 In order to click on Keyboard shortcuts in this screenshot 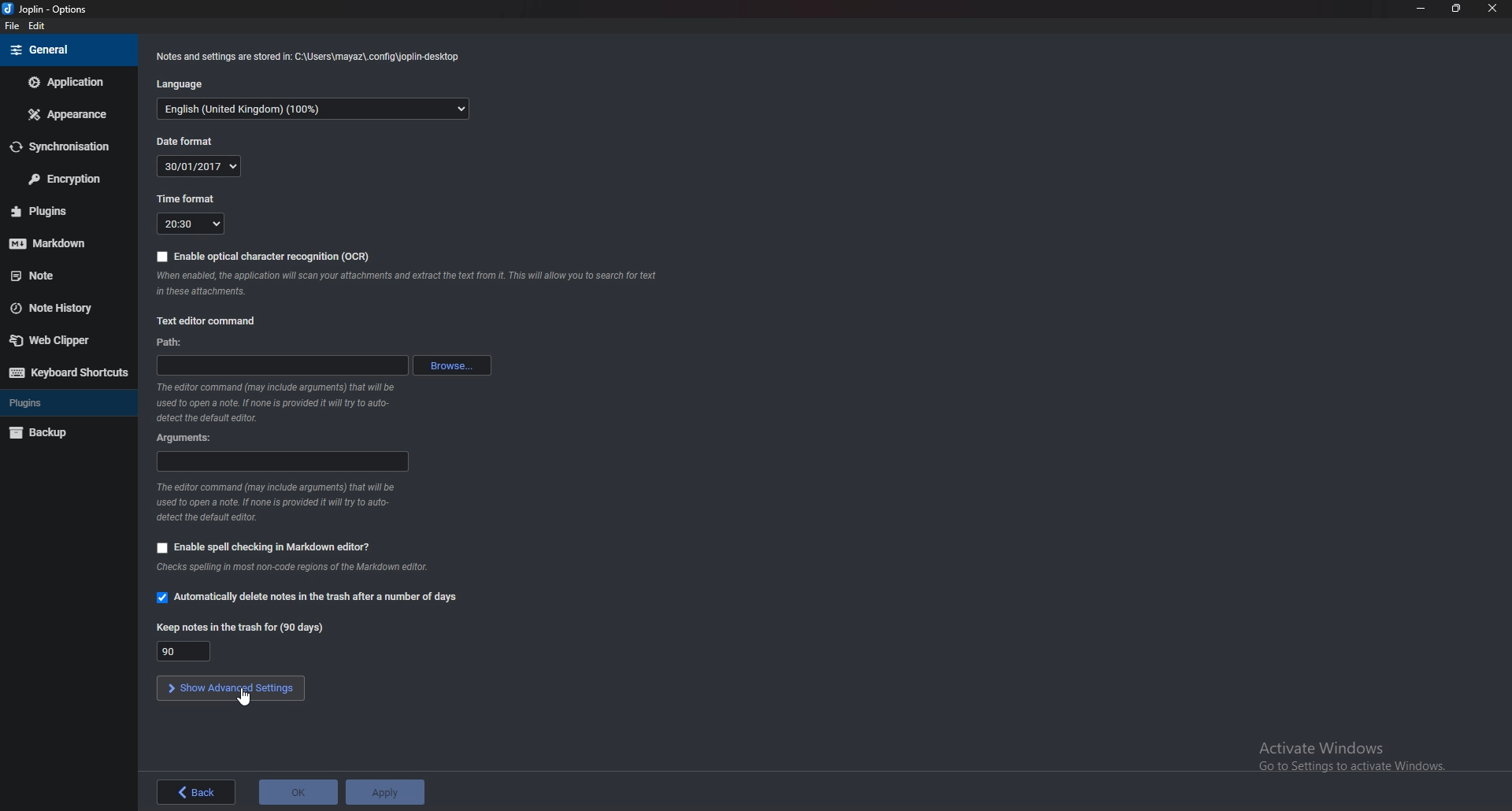, I will do `click(68, 373)`.